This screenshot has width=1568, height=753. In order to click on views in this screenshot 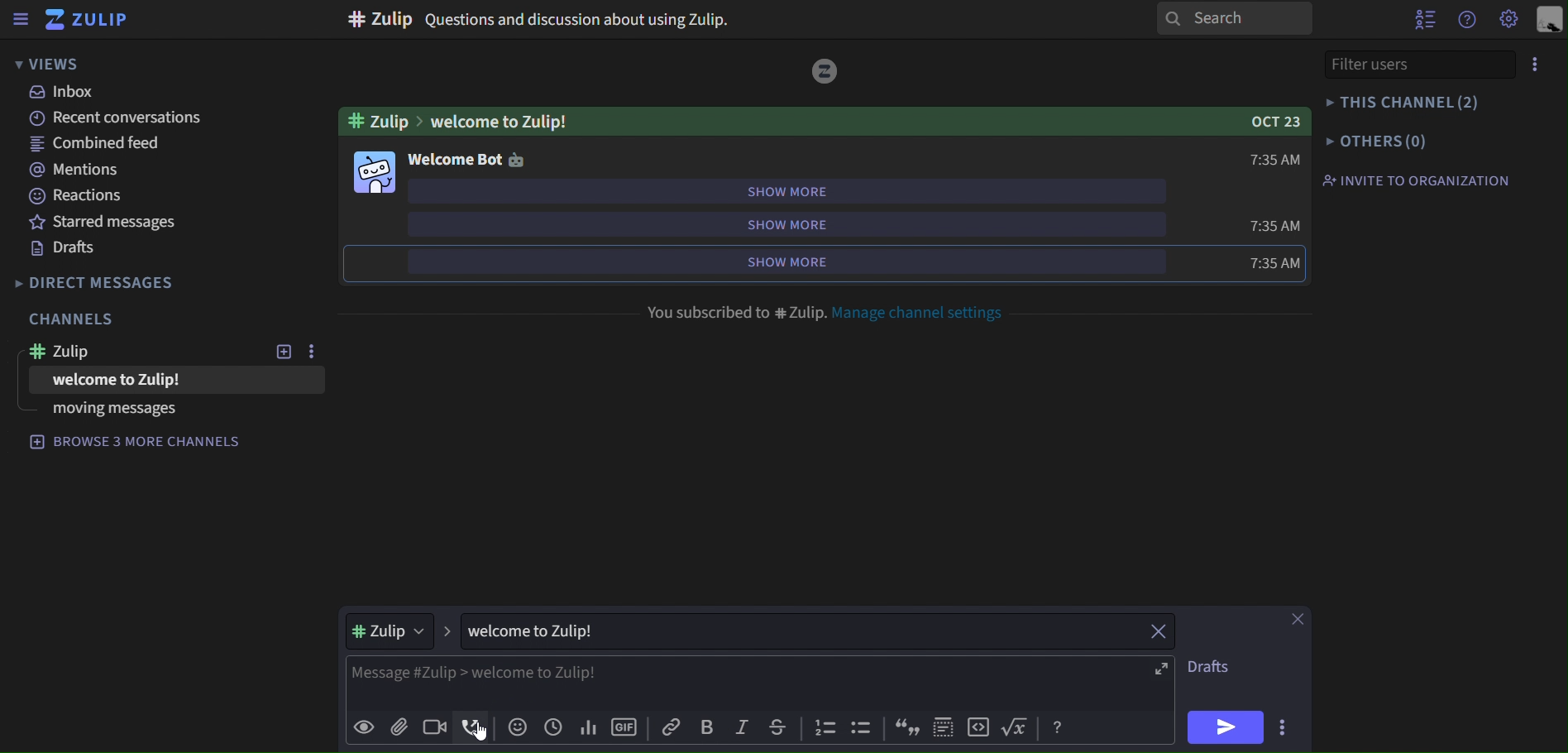, I will do `click(48, 63)`.